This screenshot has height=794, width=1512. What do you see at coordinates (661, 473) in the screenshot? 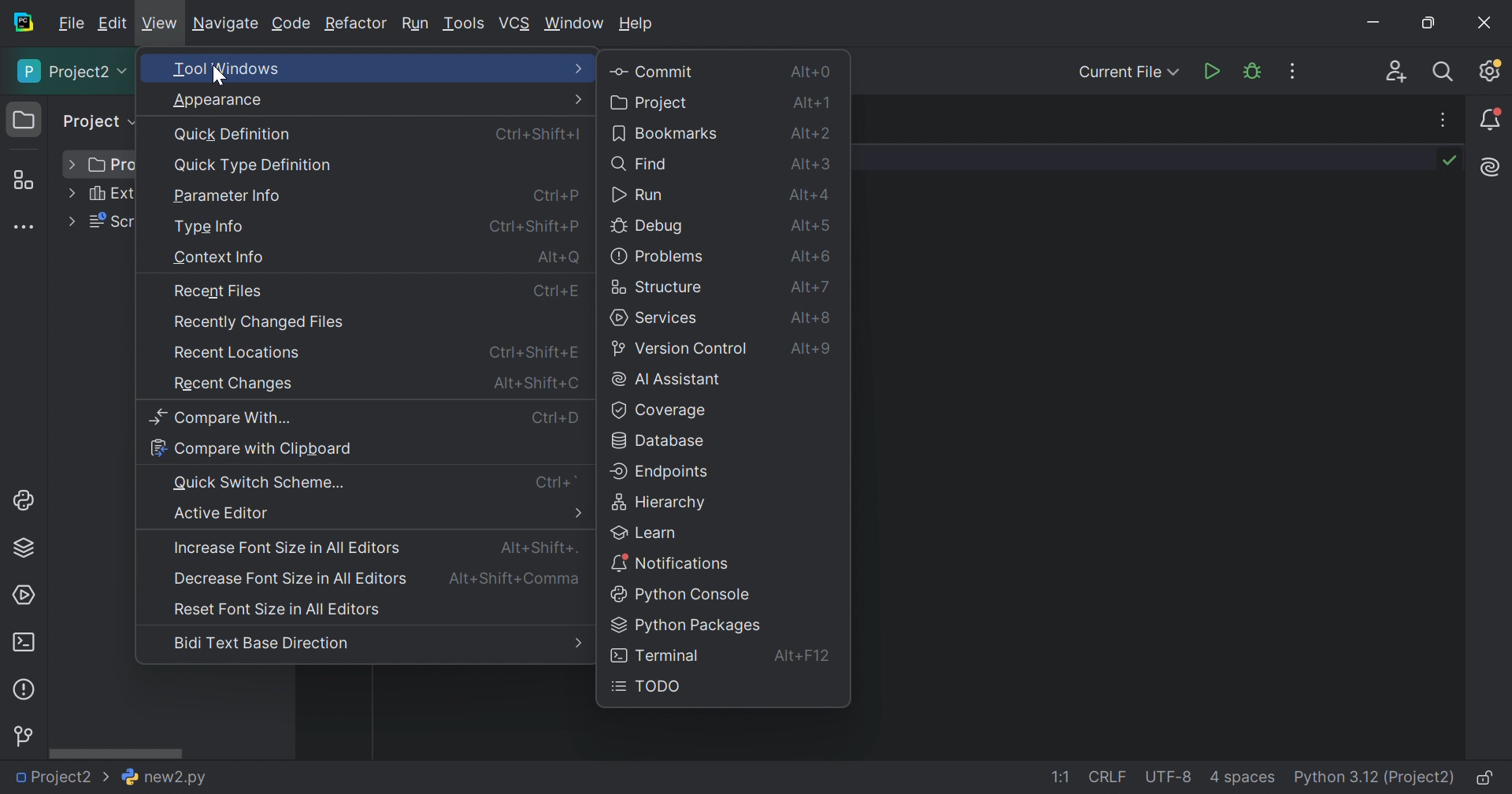
I see `Endpoints` at bounding box center [661, 473].